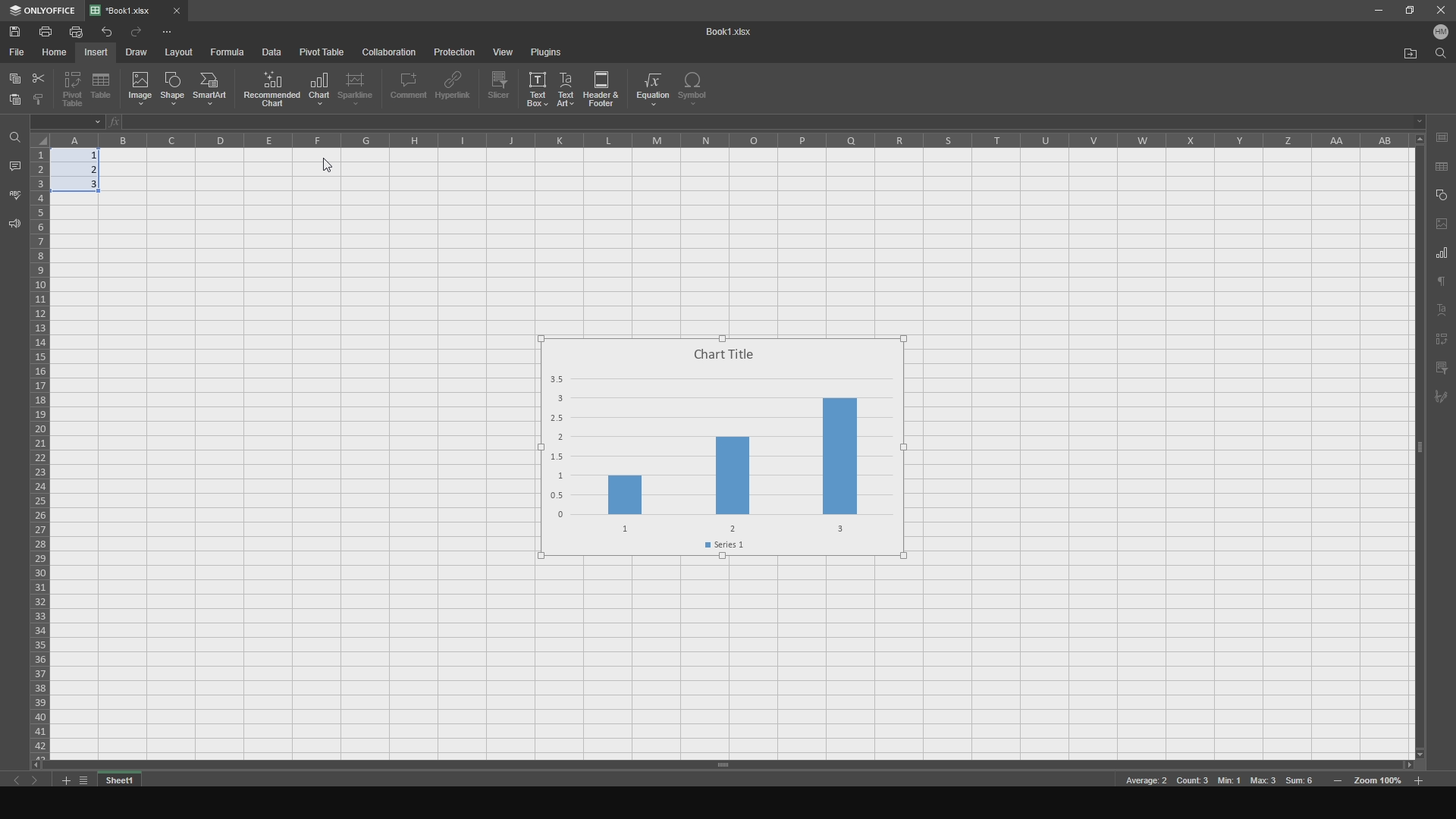 The width and height of the screenshot is (1456, 819). Describe the element at coordinates (1444, 339) in the screenshot. I see `pivot text` at that location.